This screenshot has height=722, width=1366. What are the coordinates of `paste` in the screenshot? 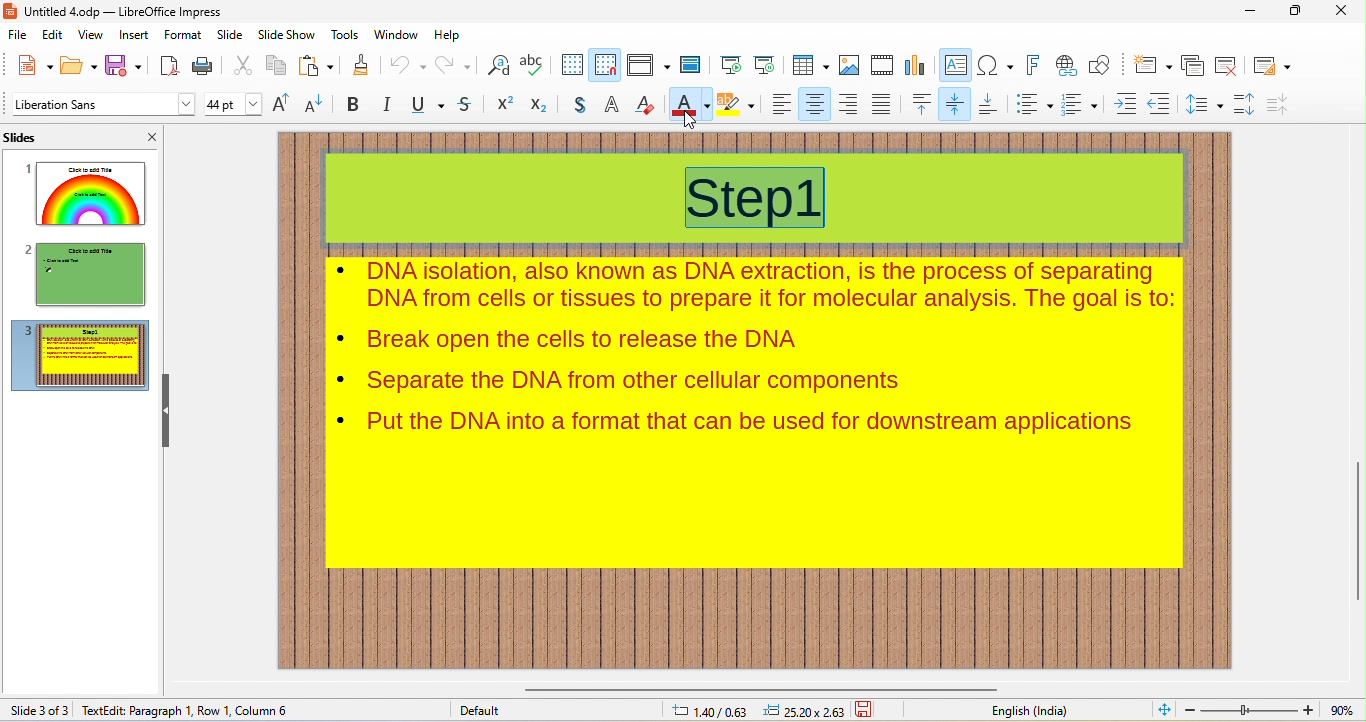 It's located at (317, 67).